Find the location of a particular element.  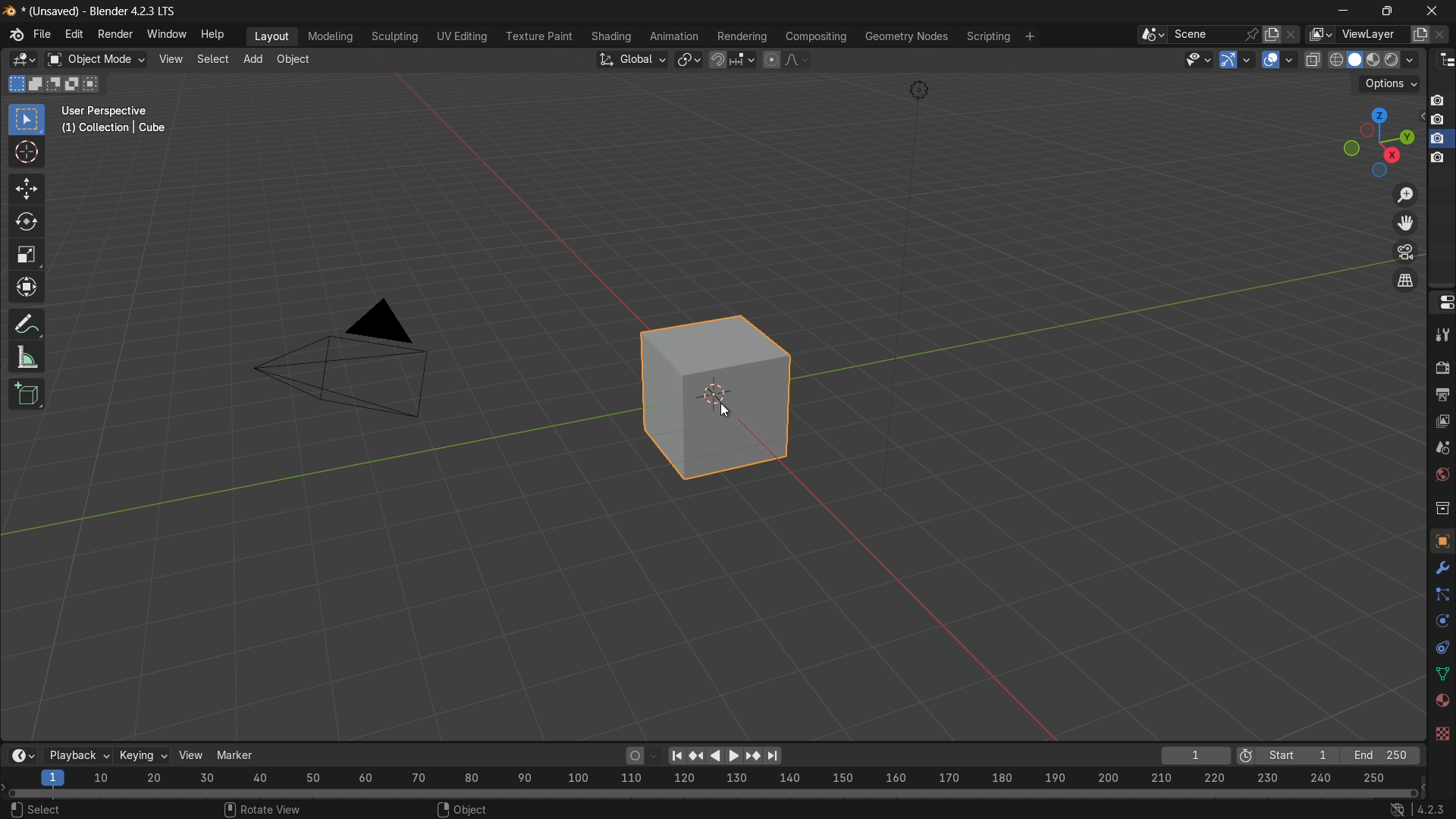

Rotate View is located at coordinates (265, 808).